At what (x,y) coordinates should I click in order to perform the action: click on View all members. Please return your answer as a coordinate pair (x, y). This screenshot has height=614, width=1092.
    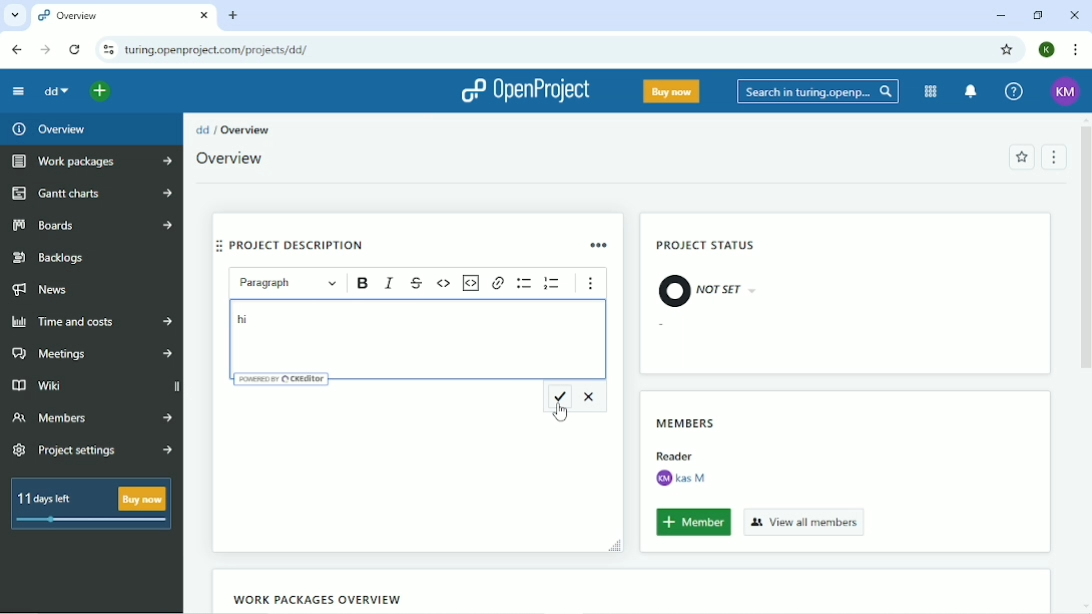
    Looking at the image, I should click on (805, 521).